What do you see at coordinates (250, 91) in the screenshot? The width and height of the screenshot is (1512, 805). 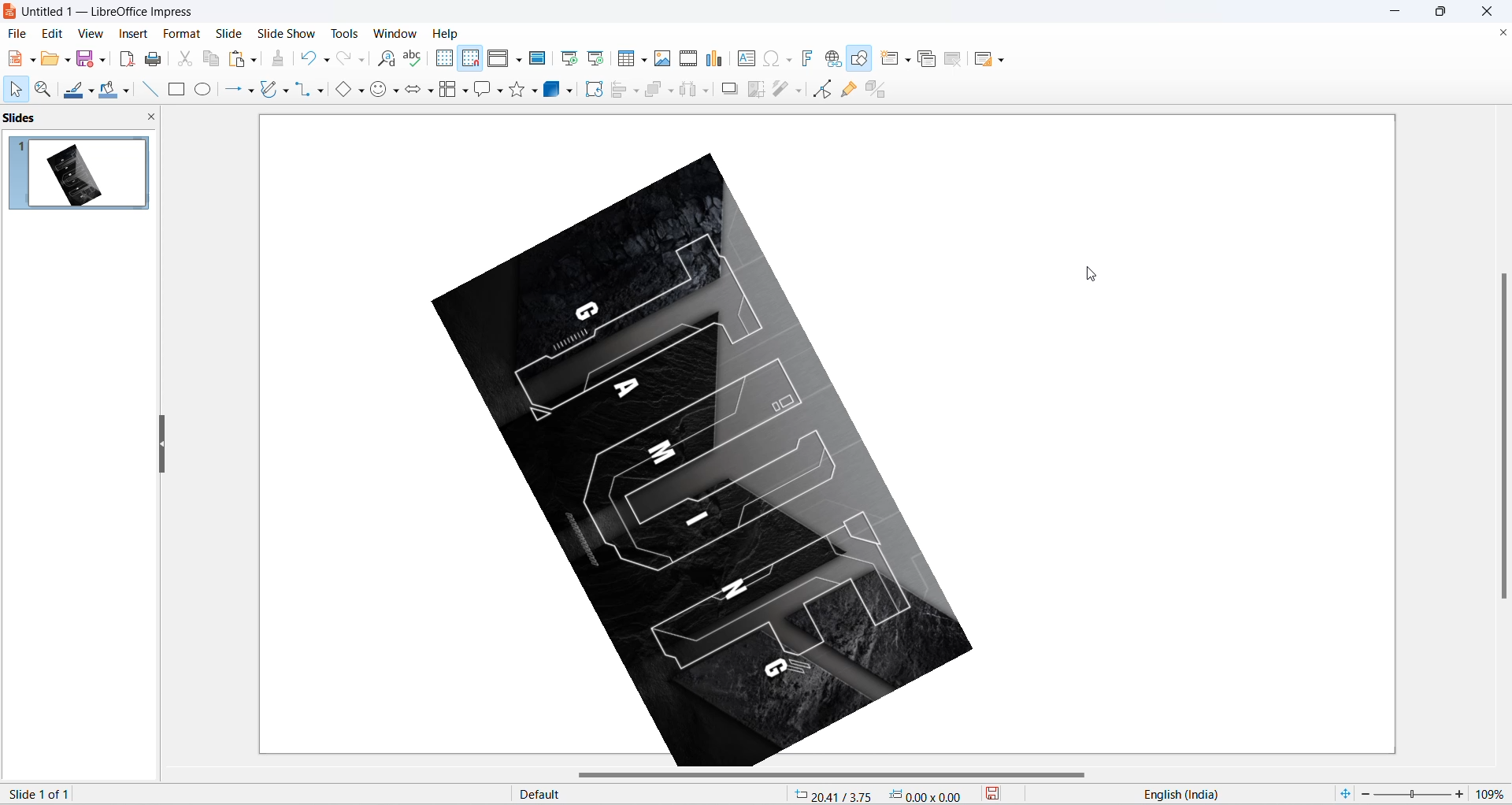 I see `line and arrows options` at bounding box center [250, 91].